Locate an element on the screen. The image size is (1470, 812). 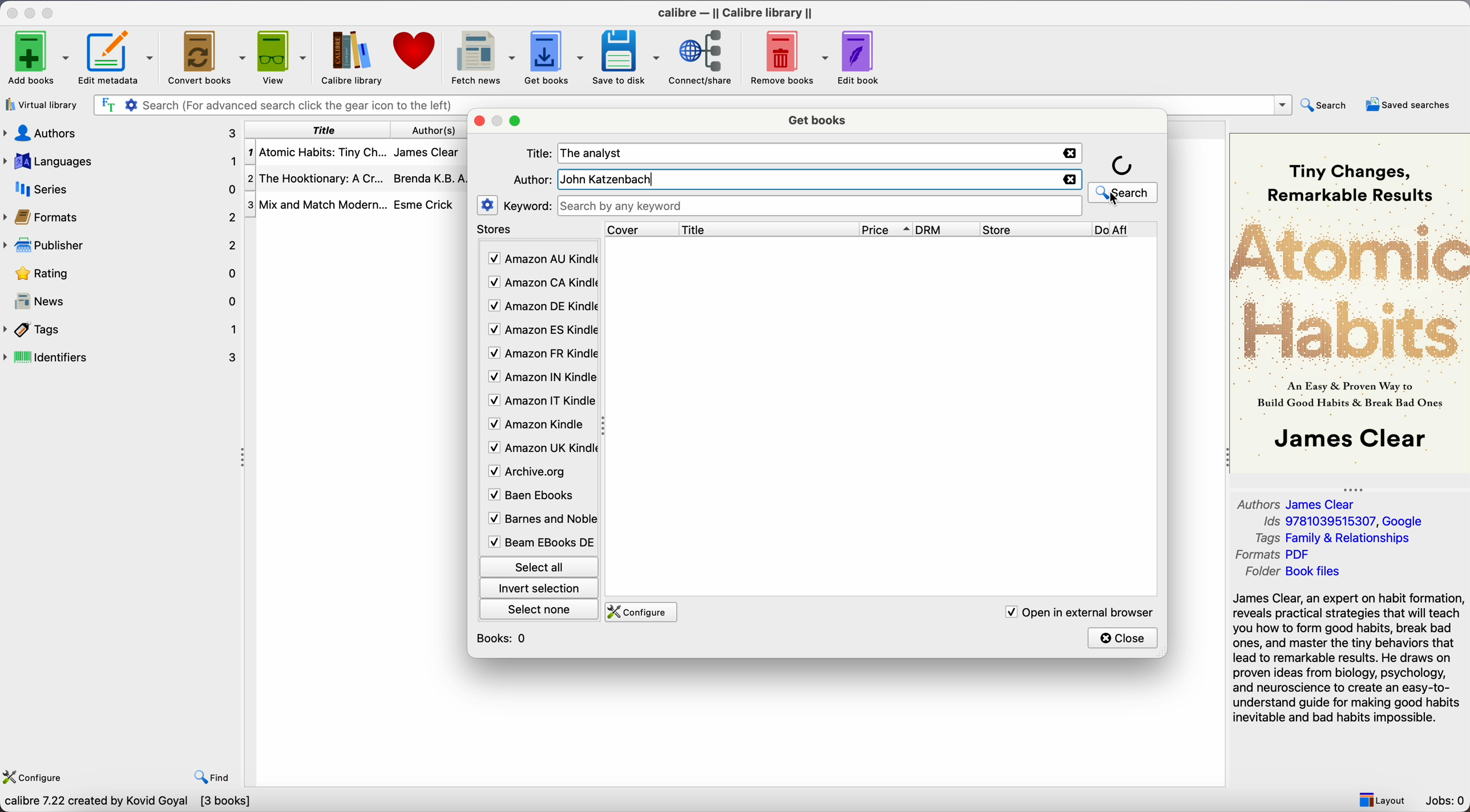
open in external browser is located at coordinates (1079, 612).